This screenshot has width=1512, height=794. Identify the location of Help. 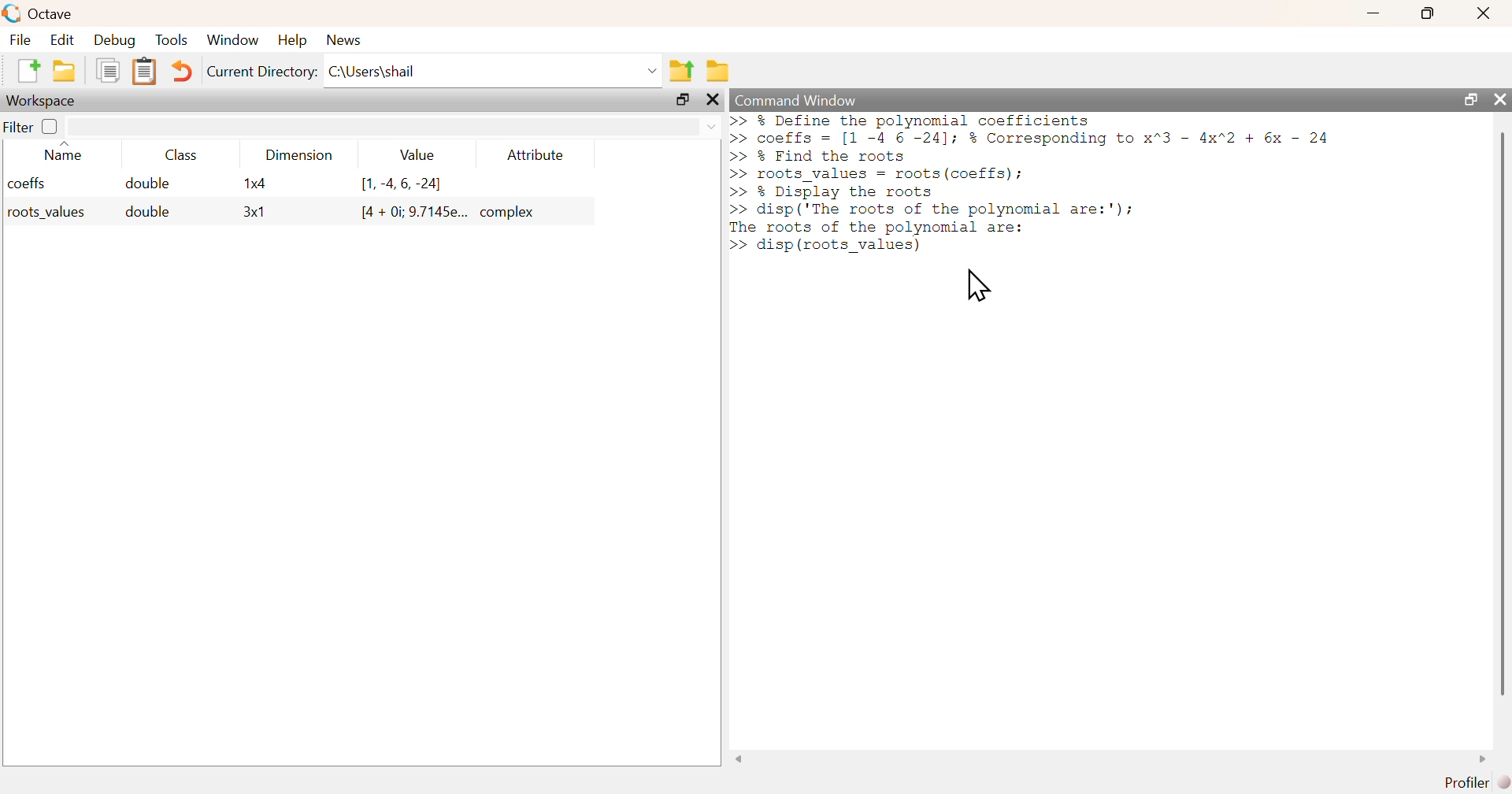
(291, 41).